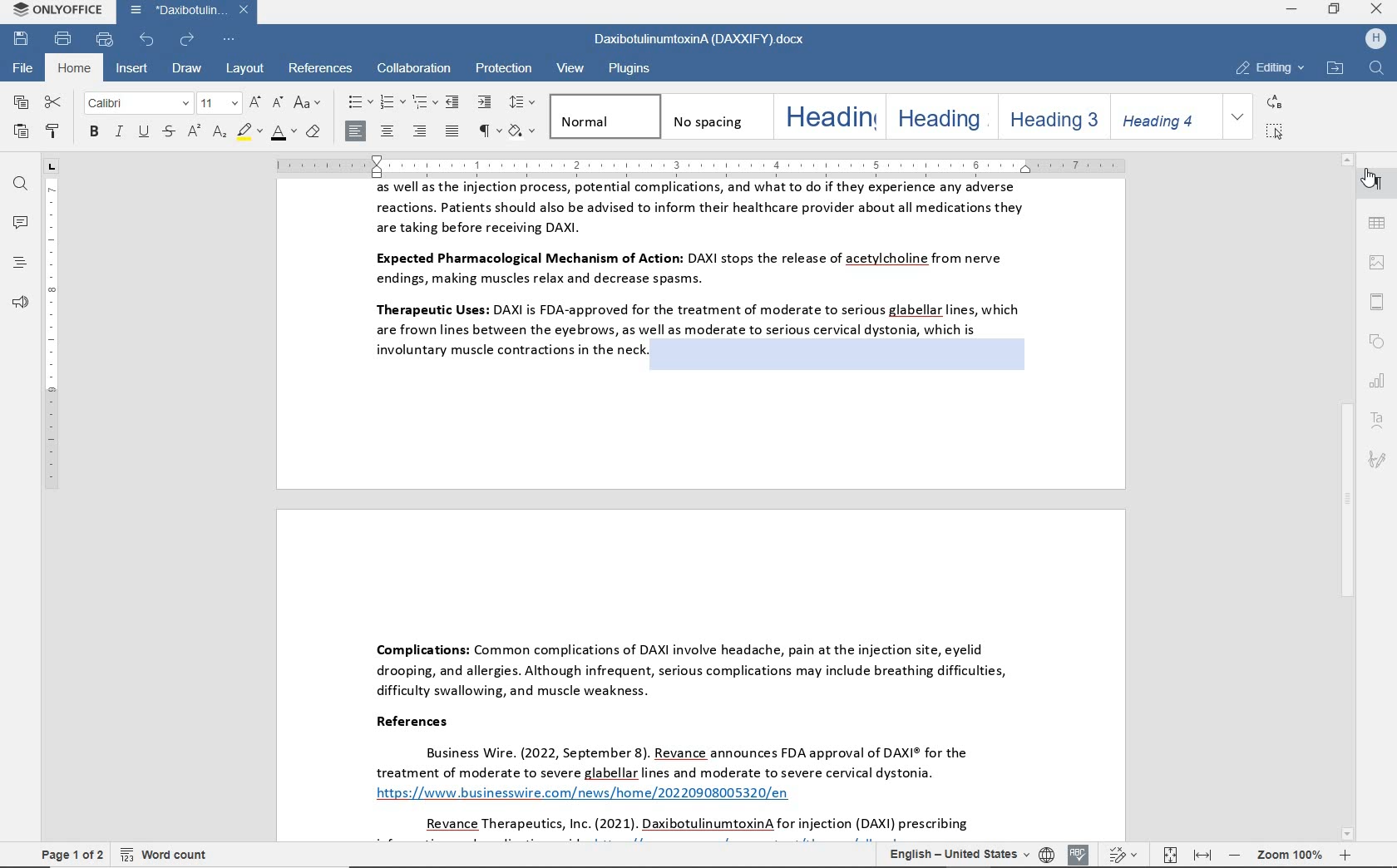  What do you see at coordinates (189, 71) in the screenshot?
I see `draw` at bounding box center [189, 71].